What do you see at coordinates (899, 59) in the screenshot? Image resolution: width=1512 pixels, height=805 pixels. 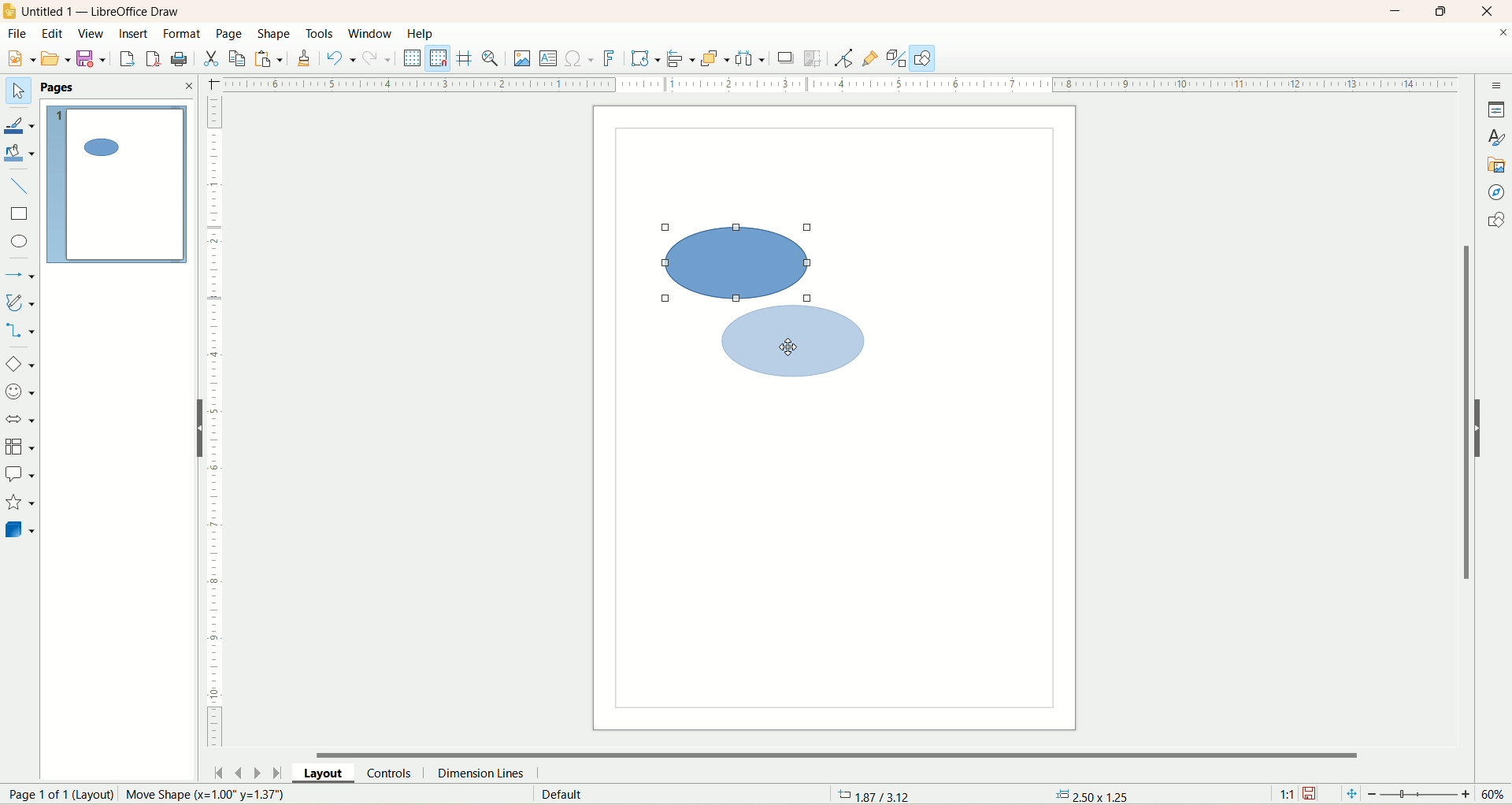 I see `toggle extrusion` at bounding box center [899, 59].